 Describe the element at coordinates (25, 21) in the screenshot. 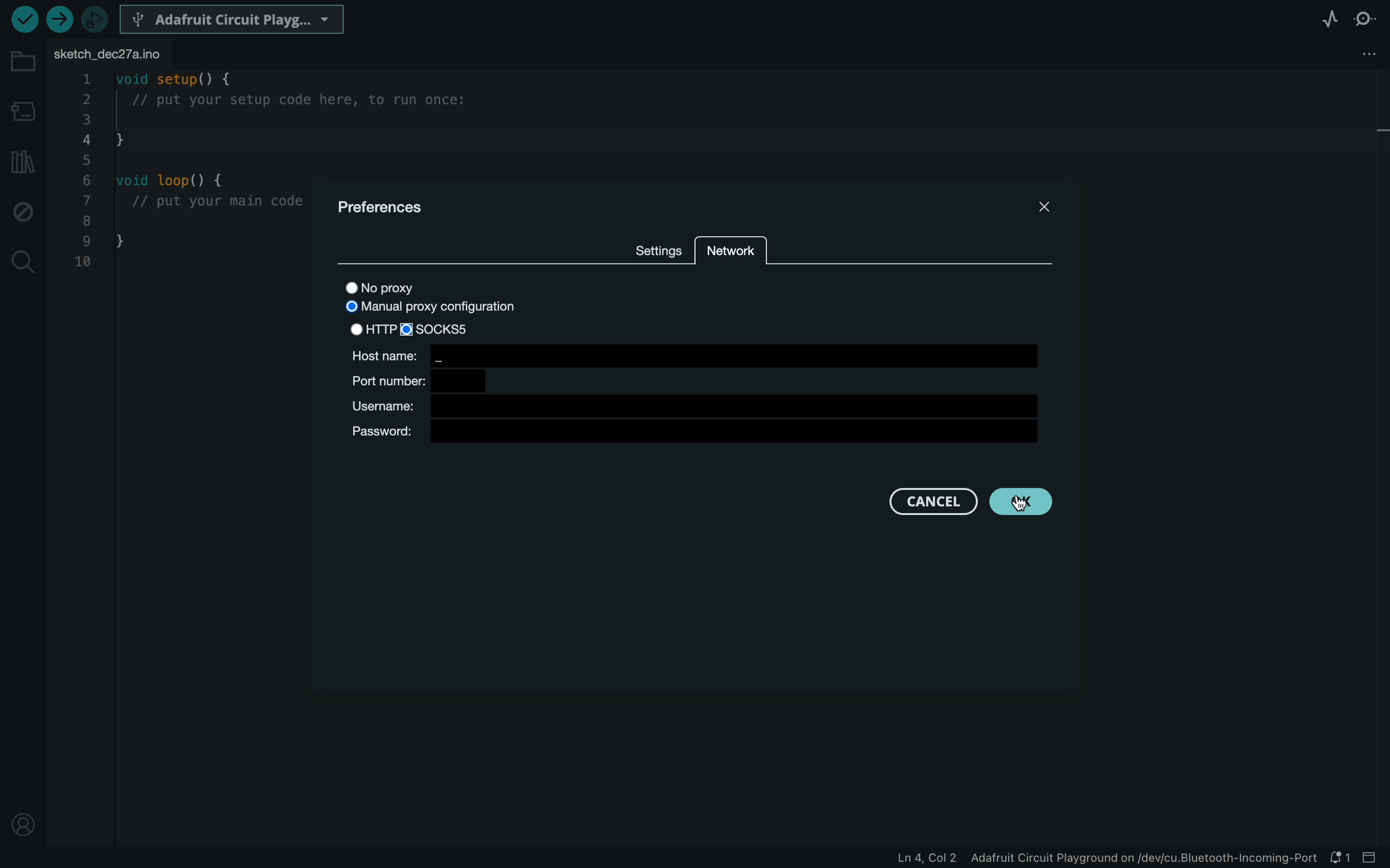

I see `verify` at that location.